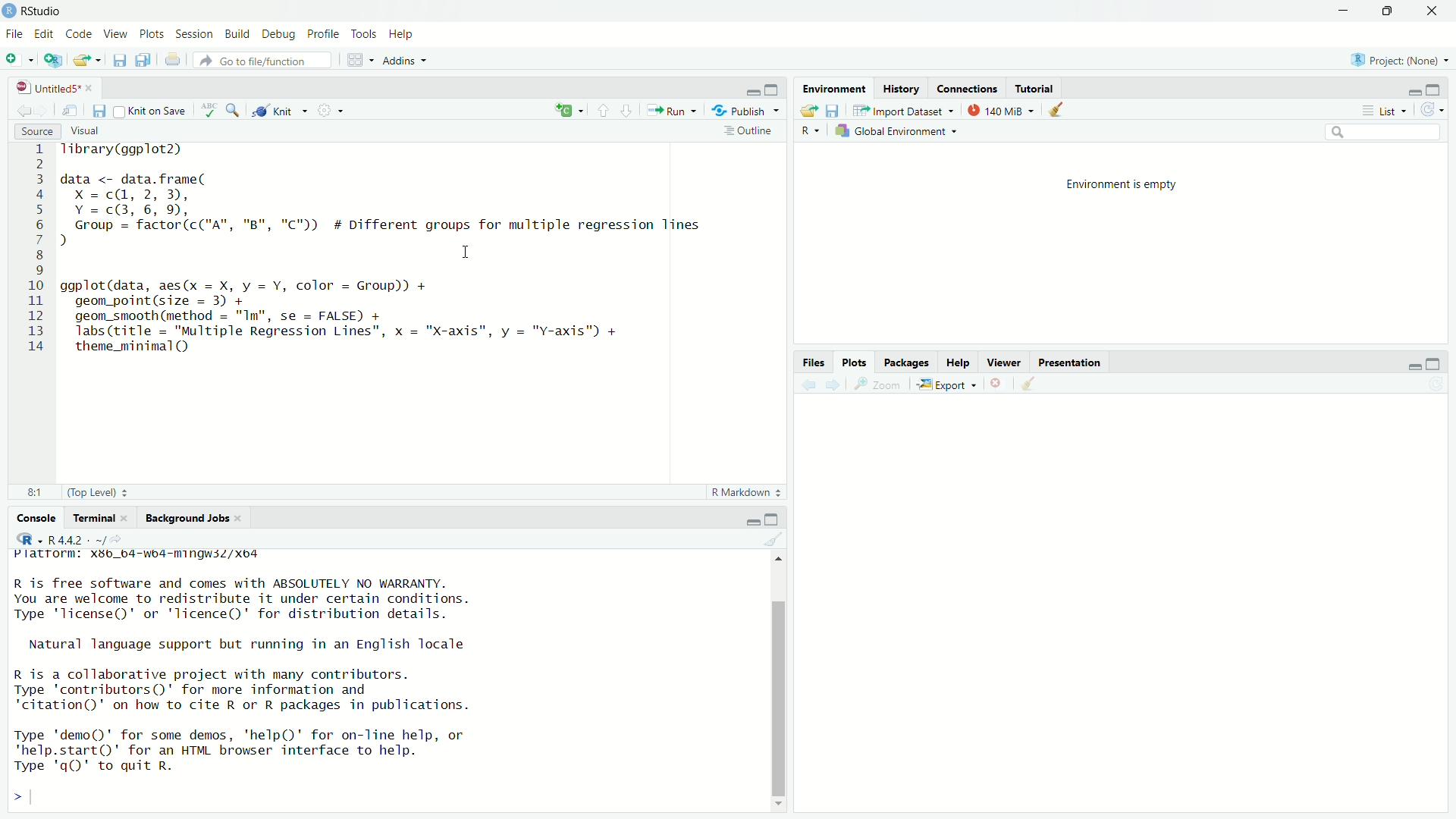 This screenshot has height=819, width=1456. What do you see at coordinates (1058, 111) in the screenshot?
I see `clear` at bounding box center [1058, 111].